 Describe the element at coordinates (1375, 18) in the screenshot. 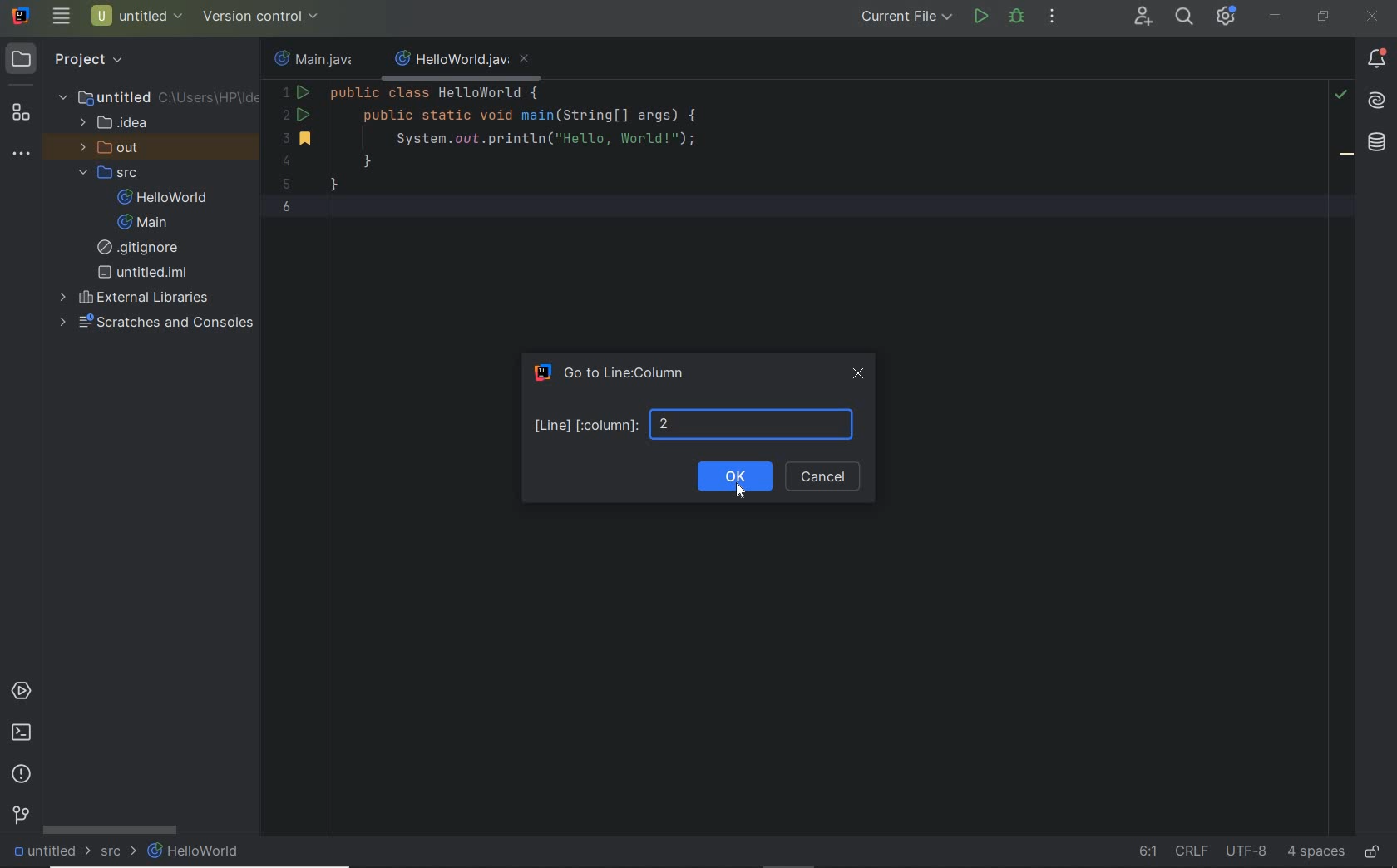

I see `close` at that location.